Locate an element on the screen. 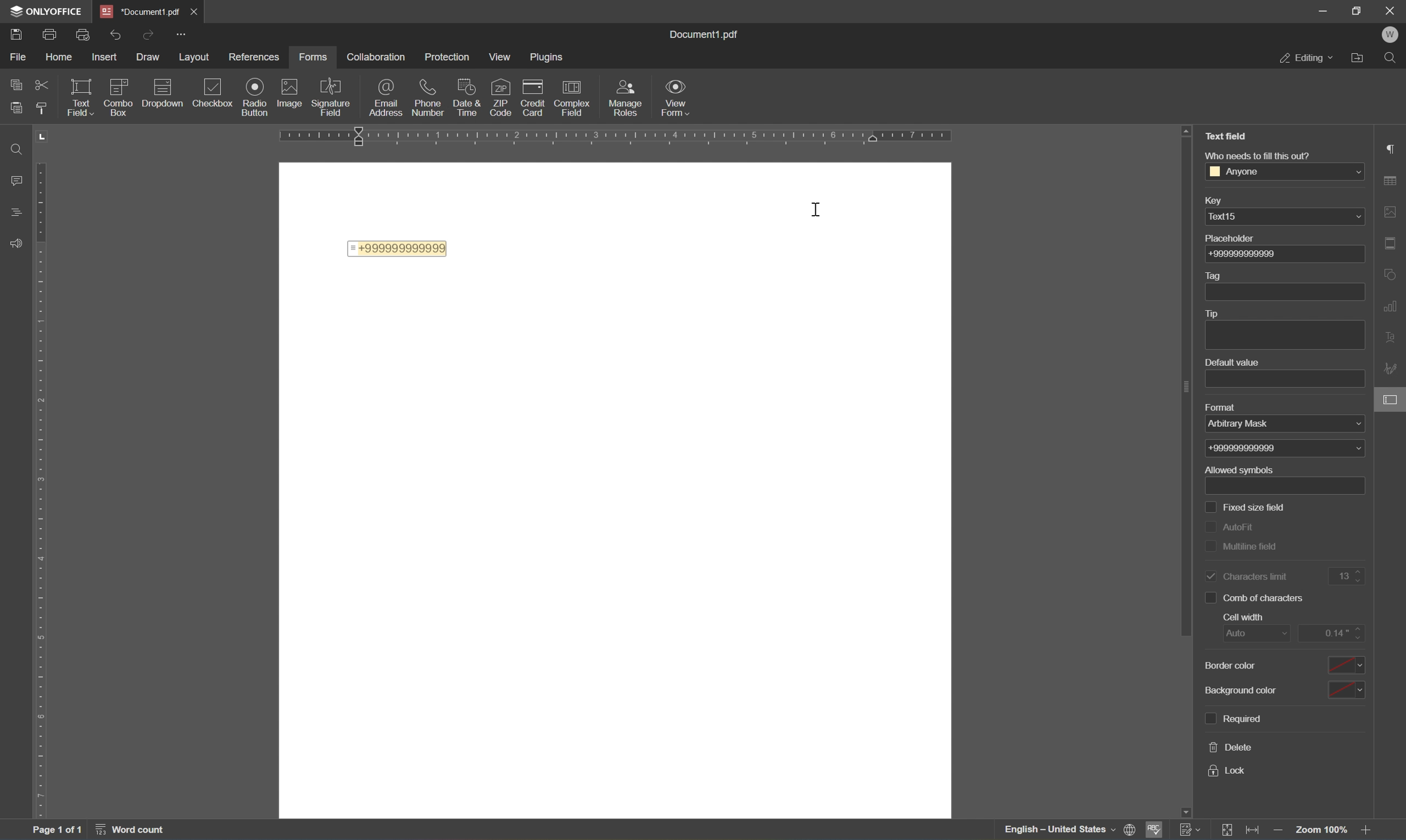 This screenshot has width=1406, height=840. paragraph settings is located at coordinates (1390, 147).